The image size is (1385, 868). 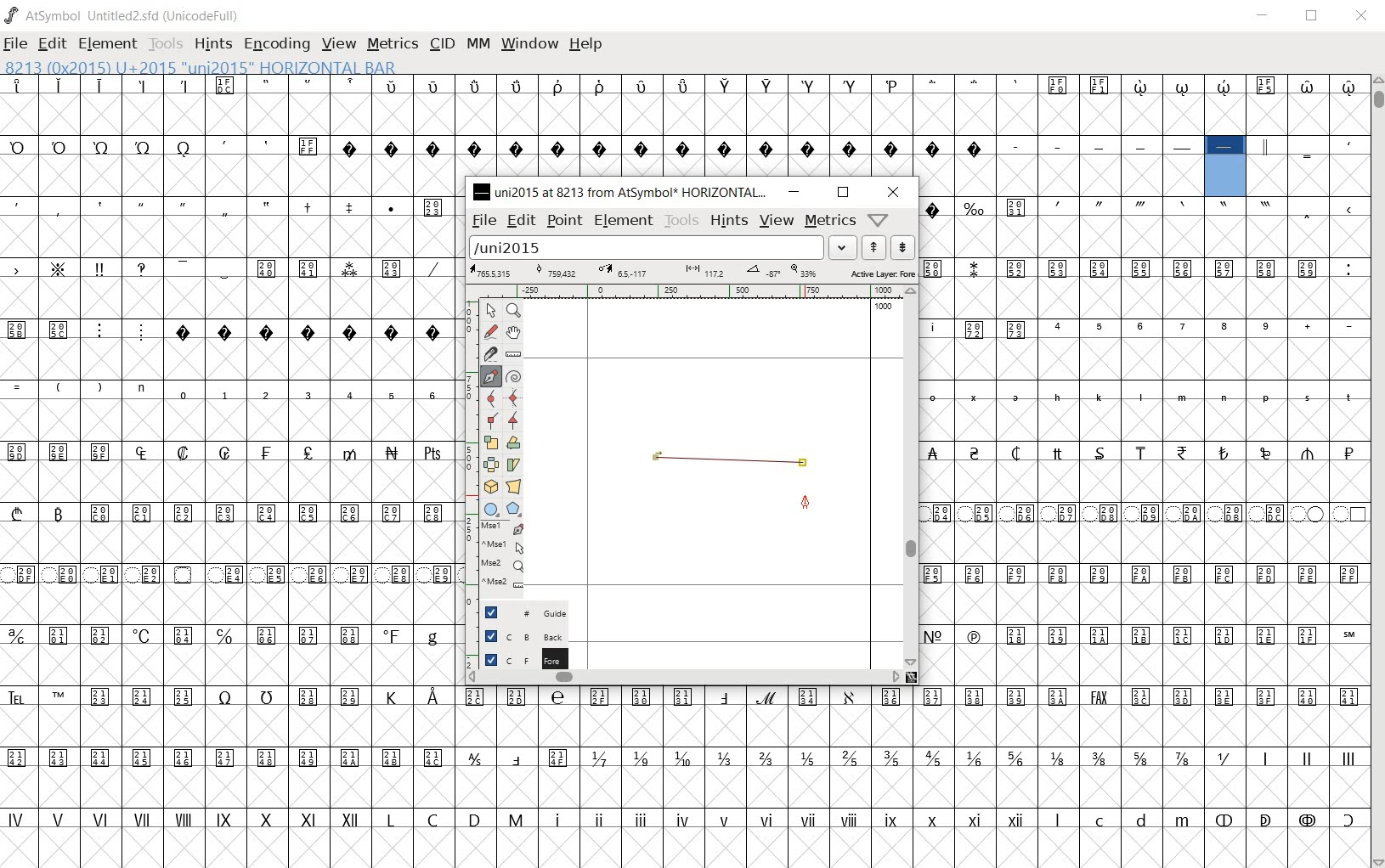 I want to click on close, so click(x=894, y=192).